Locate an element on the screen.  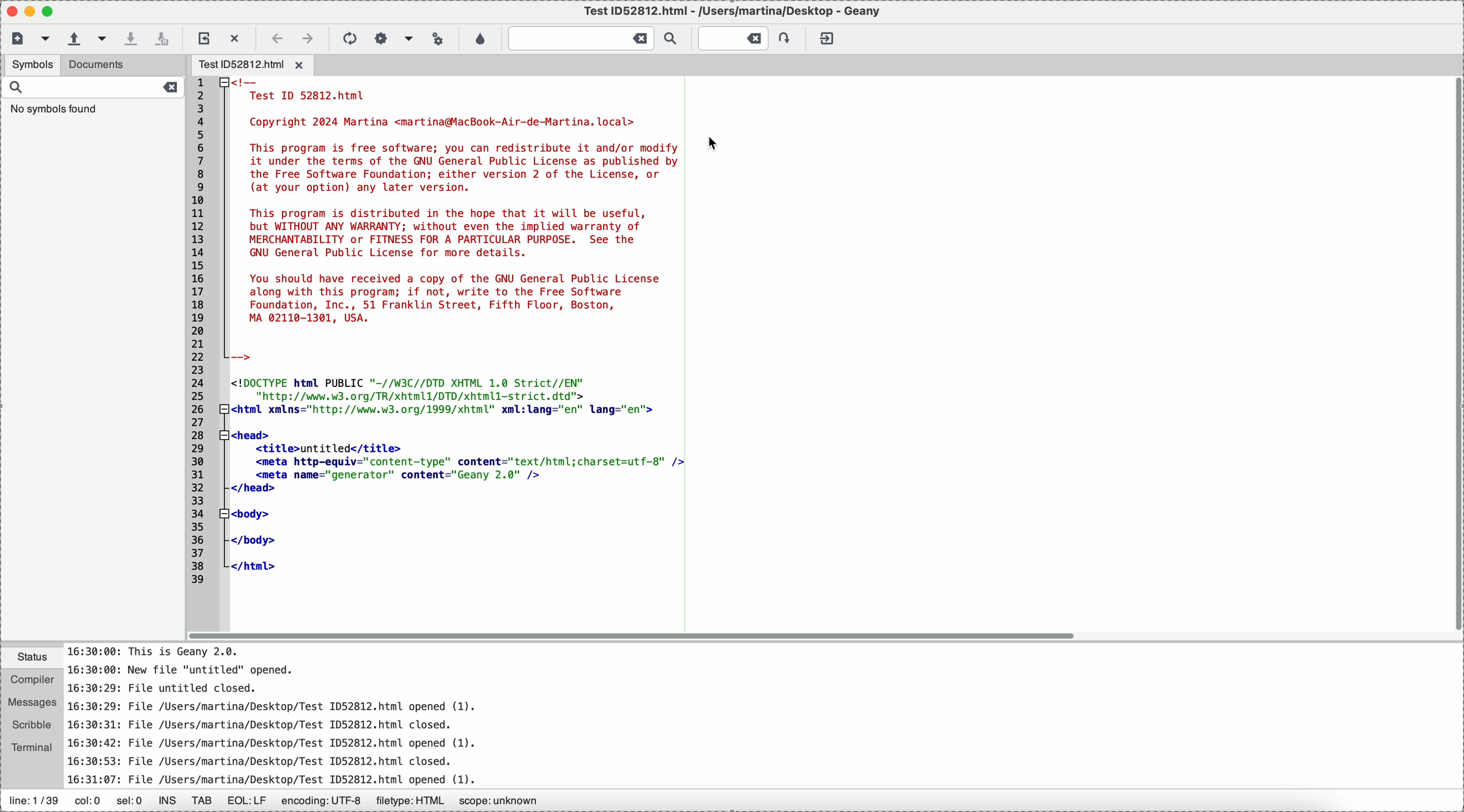
cursor is located at coordinates (711, 144).